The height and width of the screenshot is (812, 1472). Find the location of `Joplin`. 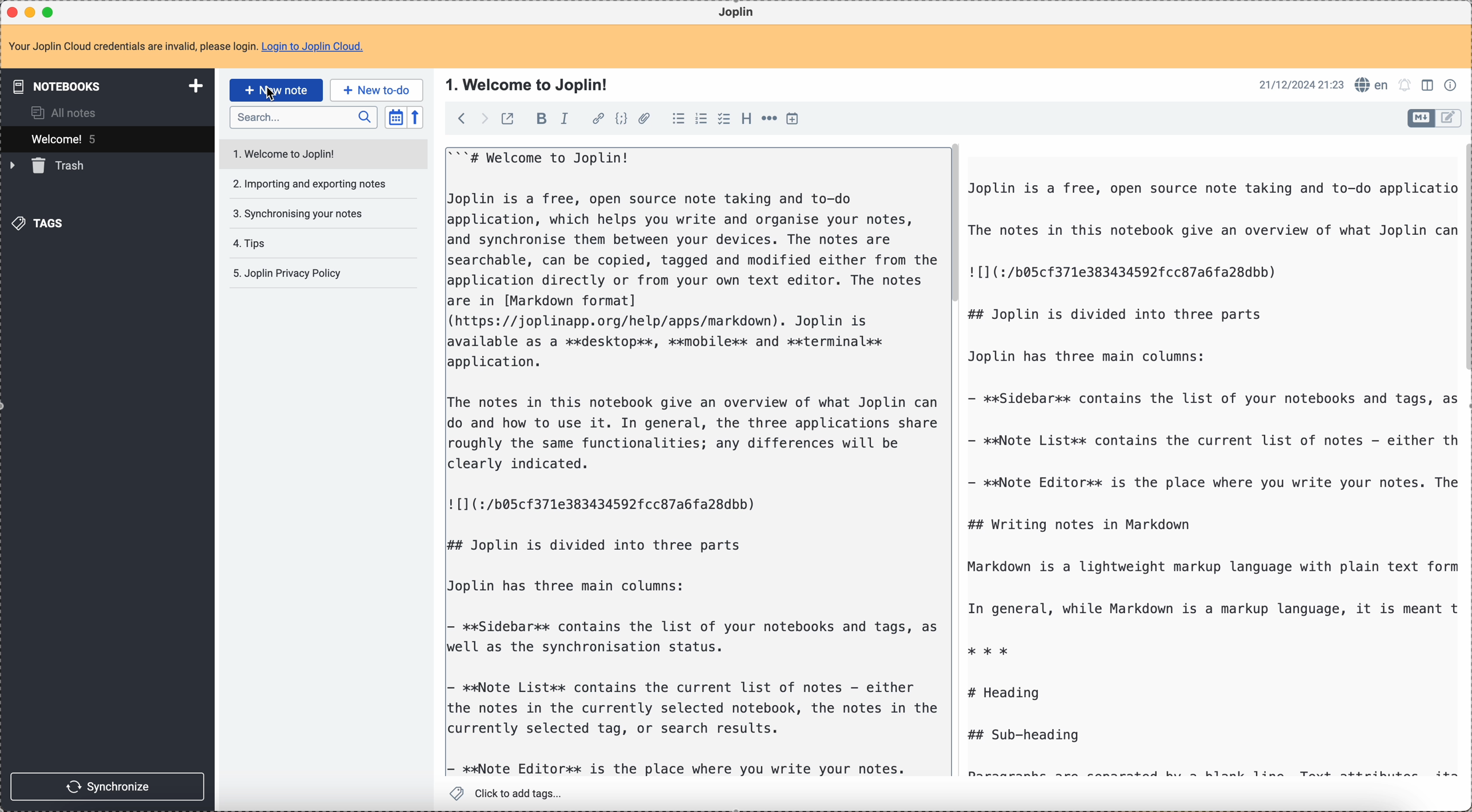

Joplin is located at coordinates (738, 13).